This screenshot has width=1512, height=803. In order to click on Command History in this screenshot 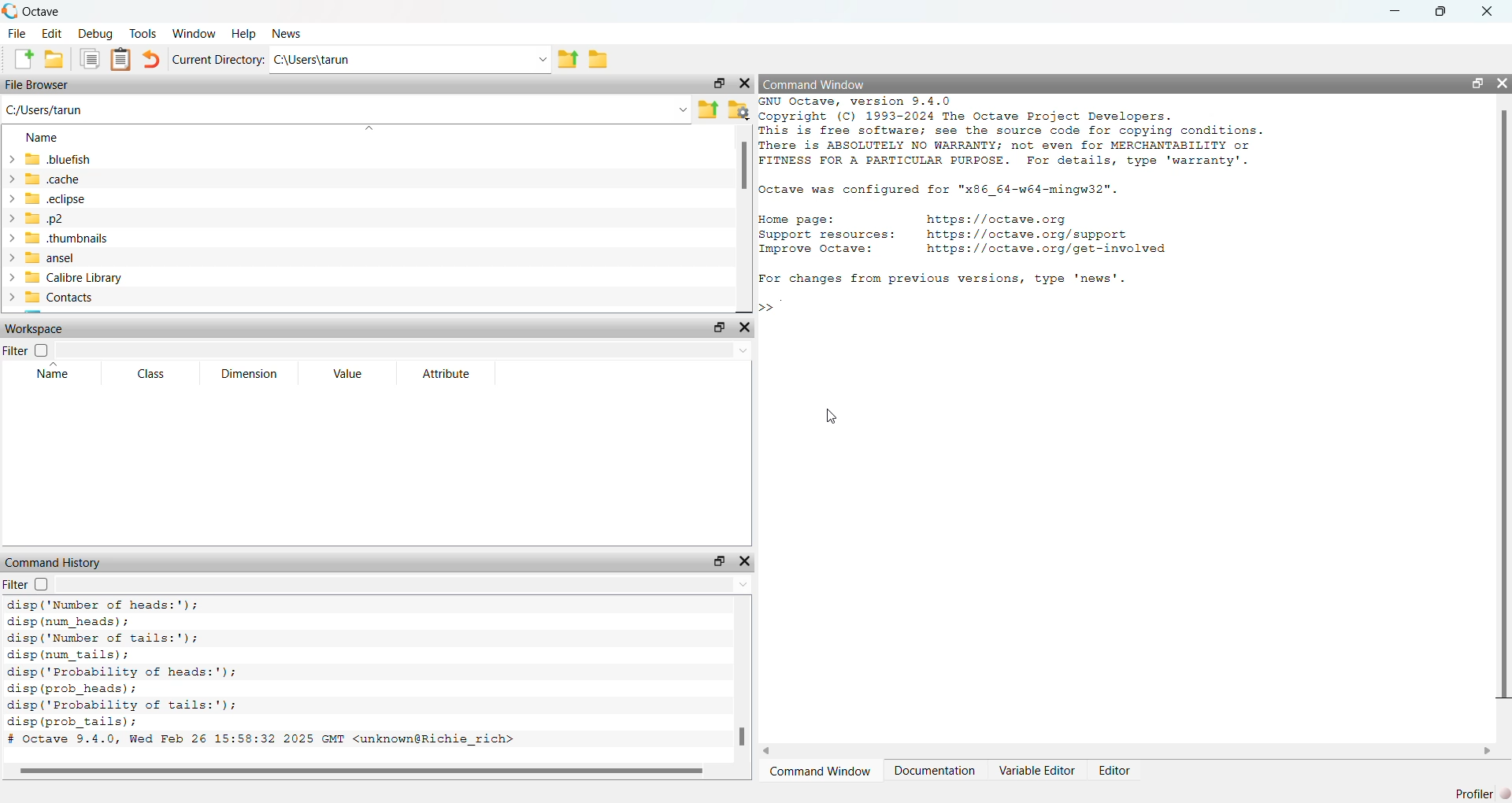, I will do `click(55, 563)`.